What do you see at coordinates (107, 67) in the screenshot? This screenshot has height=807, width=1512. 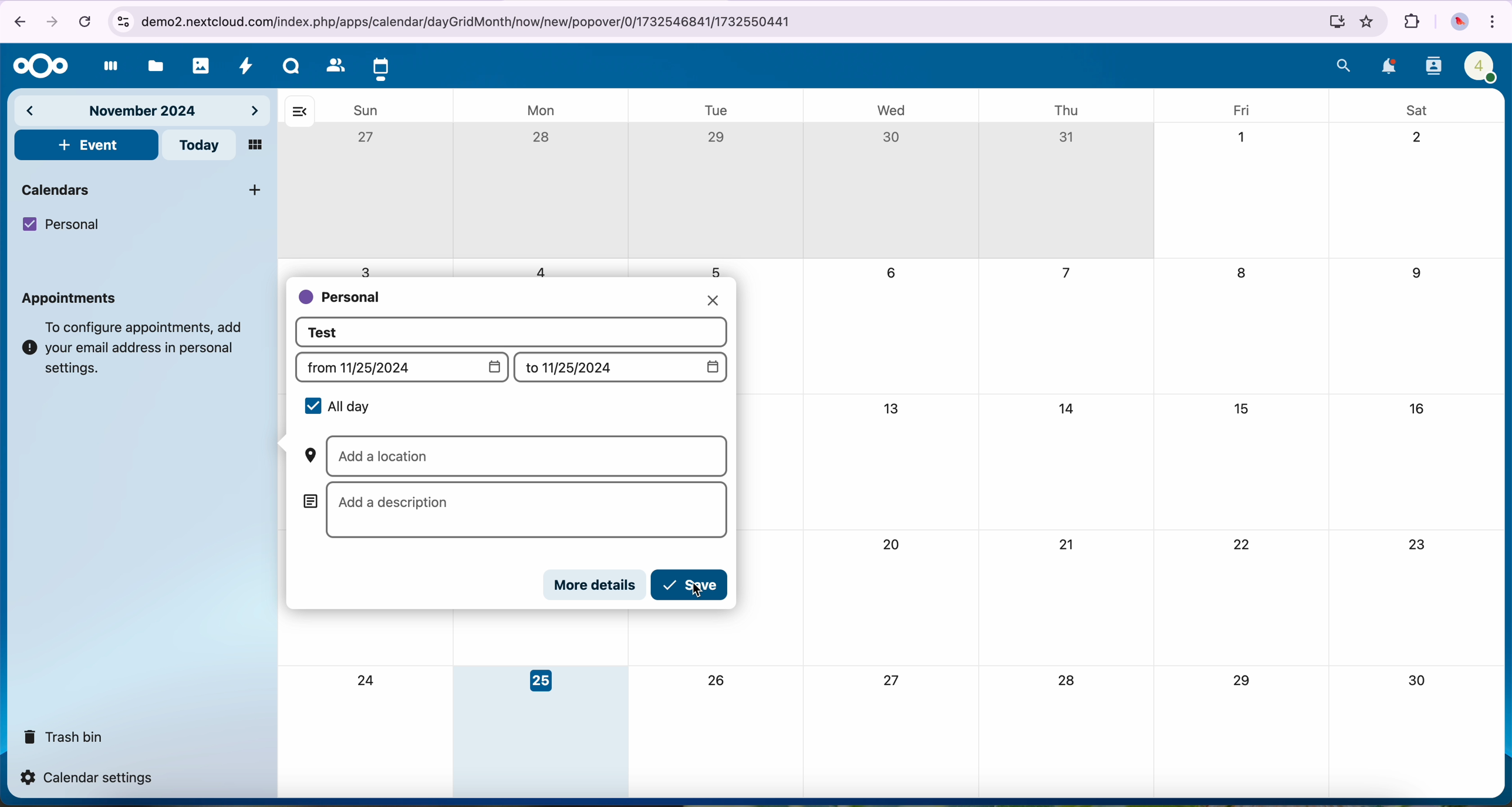 I see `dashboard` at bounding box center [107, 67].